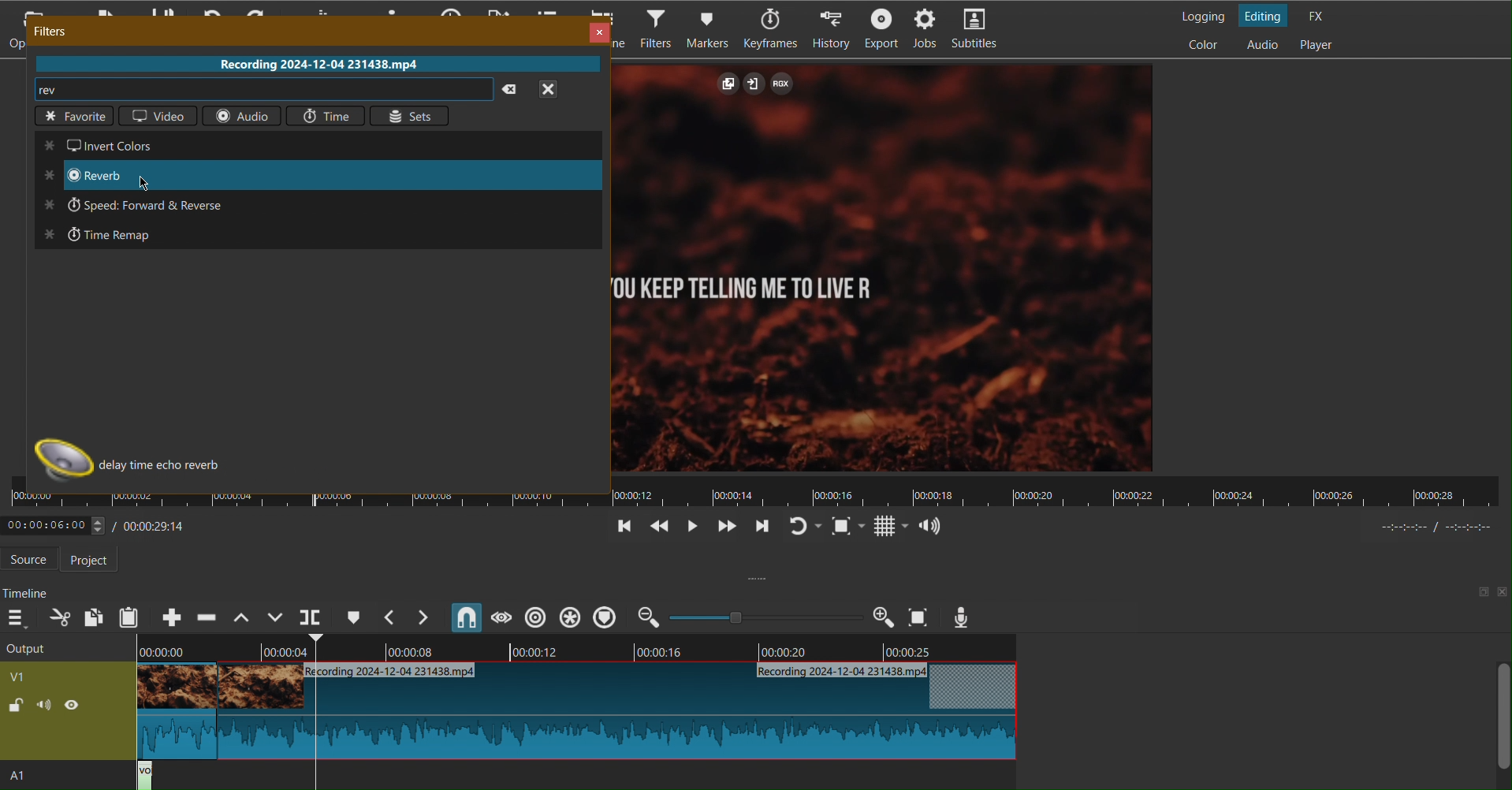 The image size is (1512, 790). I want to click on Player, so click(1319, 46).